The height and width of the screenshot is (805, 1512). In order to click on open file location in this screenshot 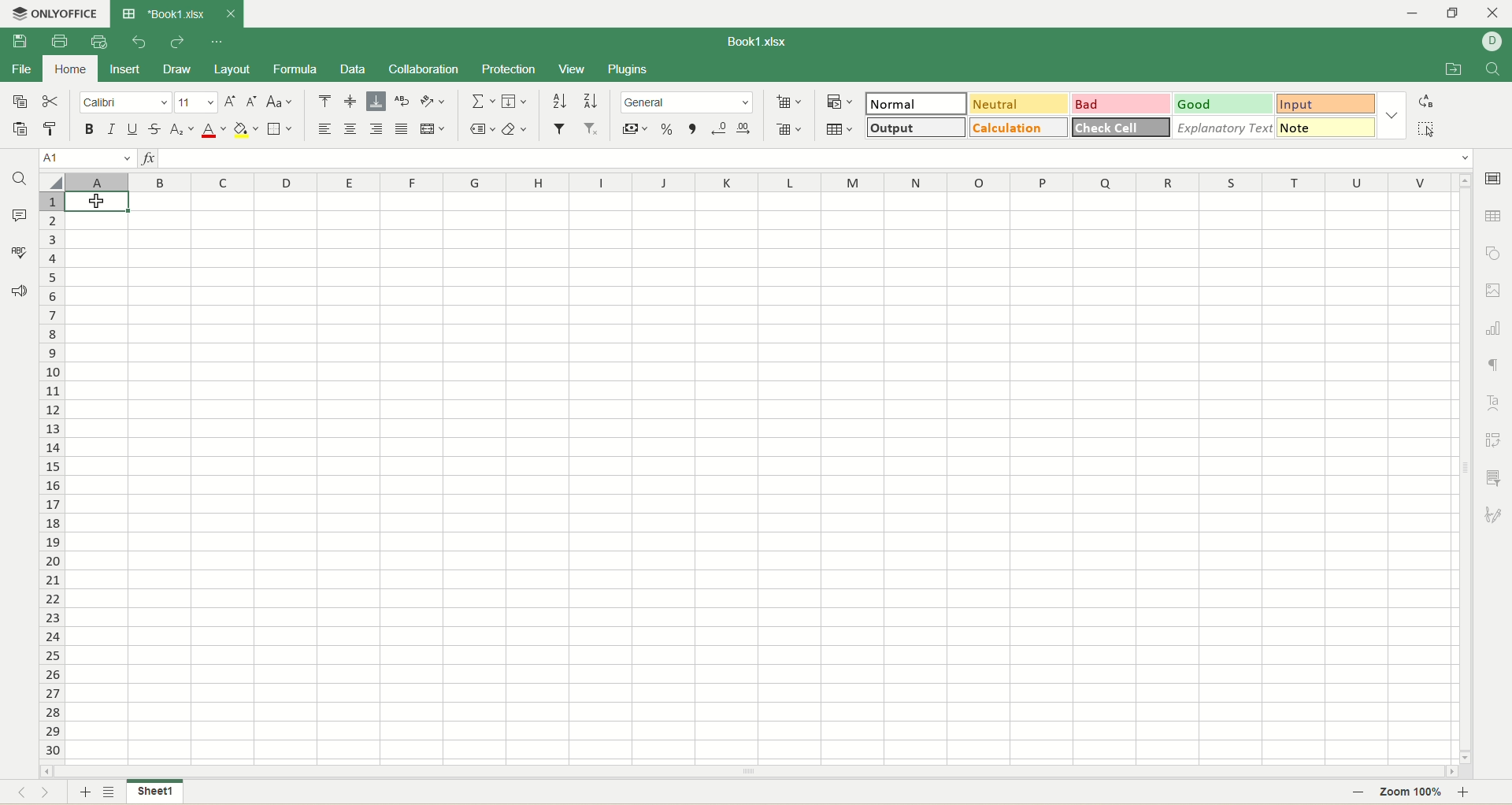, I will do `click(1451, 69)`.